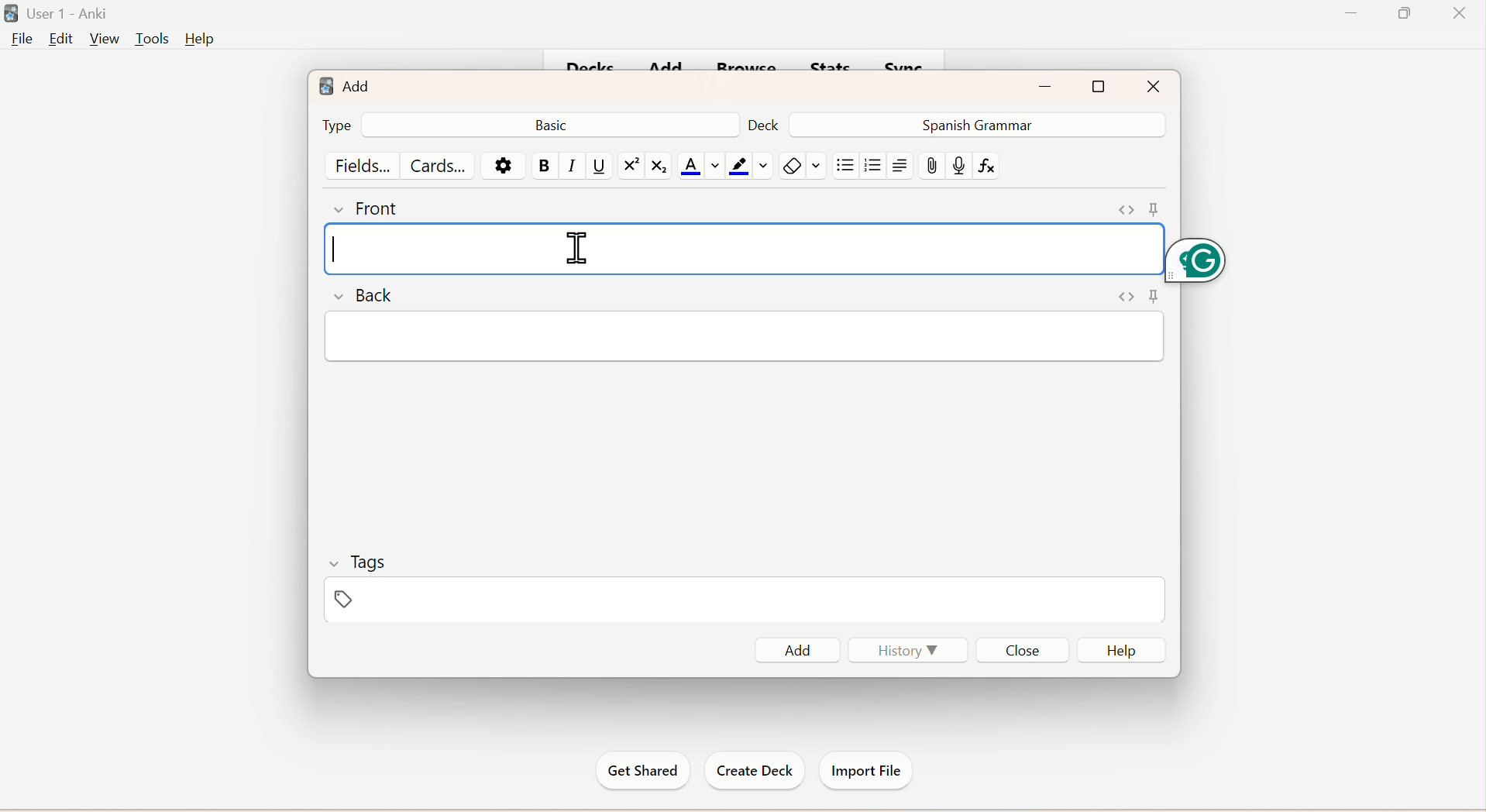  I want to click on View, so click(102, 39).